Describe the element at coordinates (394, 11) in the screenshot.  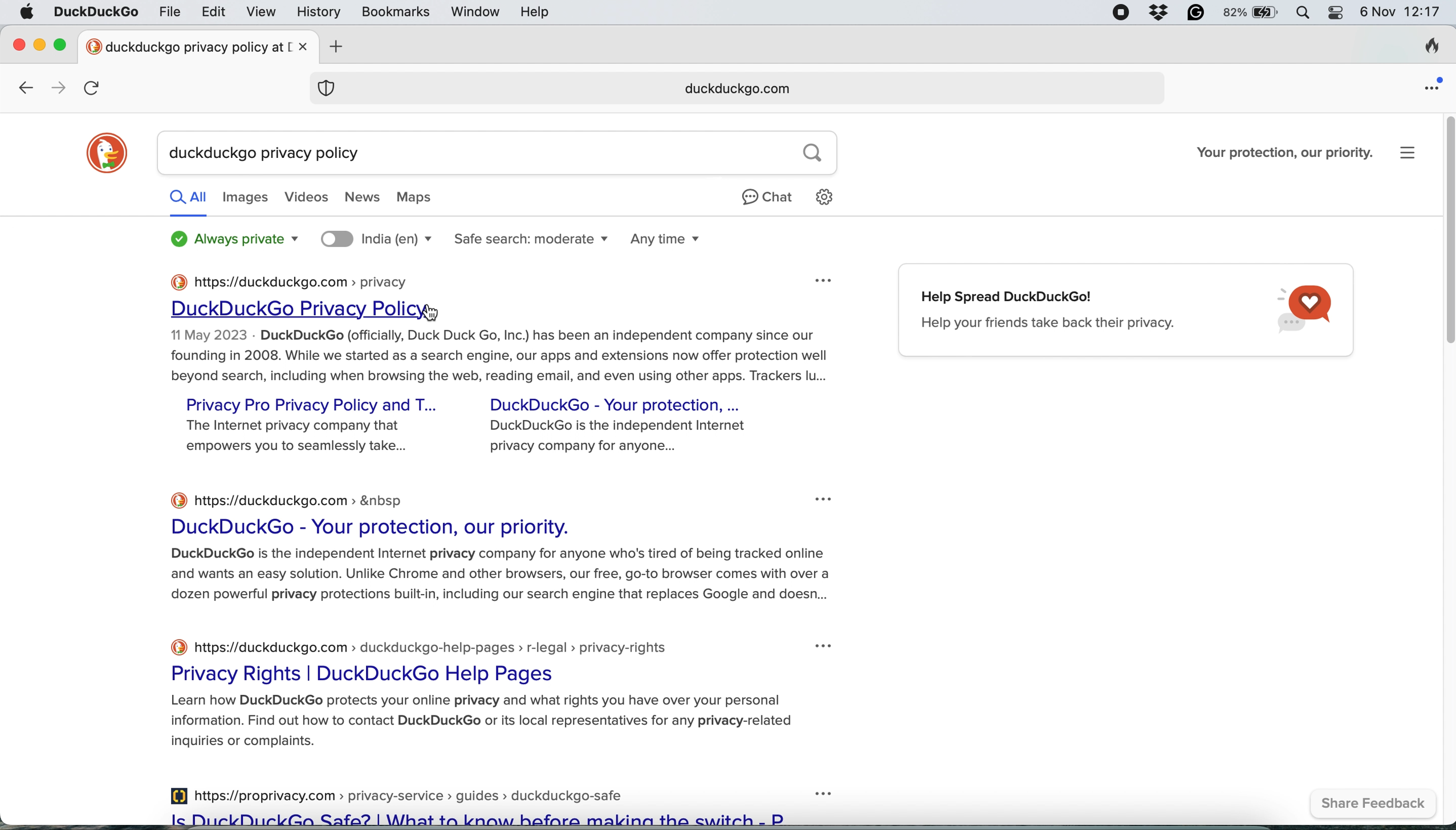
I see `bookmarks` at that location.